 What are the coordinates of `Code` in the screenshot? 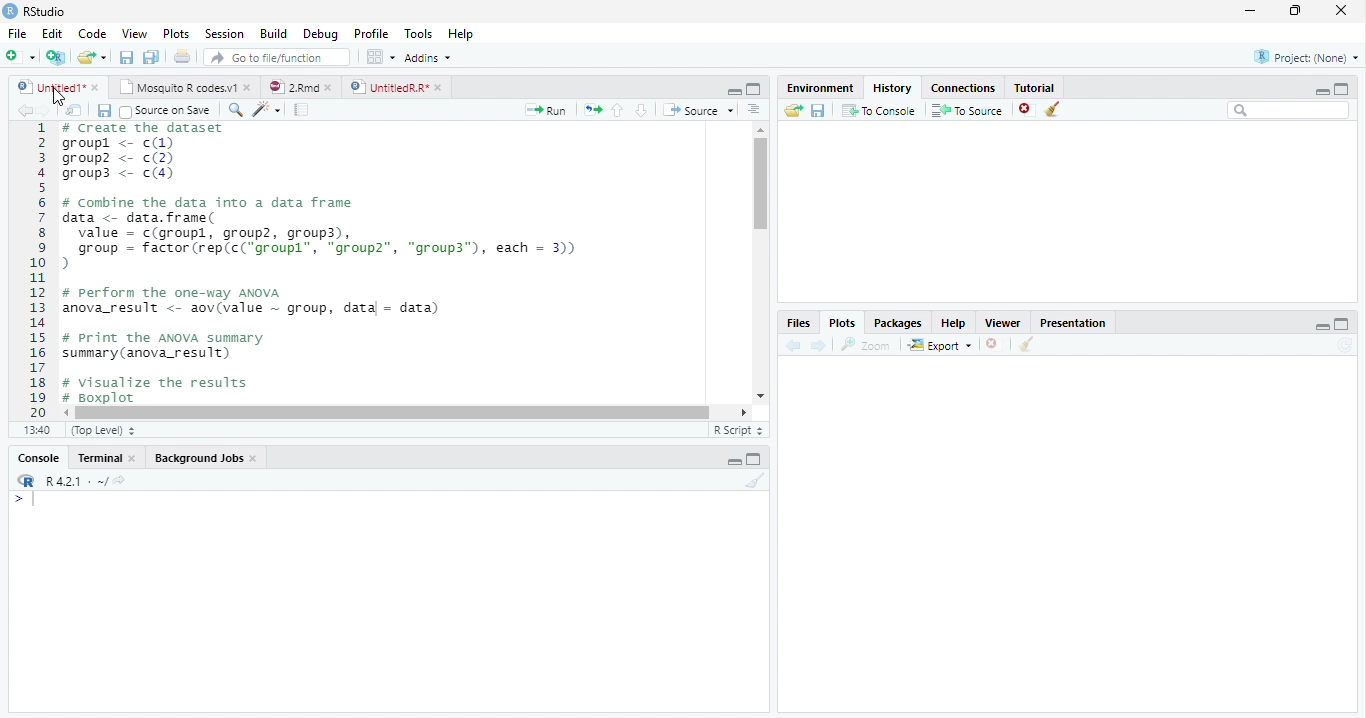 It's located at (90, 34).